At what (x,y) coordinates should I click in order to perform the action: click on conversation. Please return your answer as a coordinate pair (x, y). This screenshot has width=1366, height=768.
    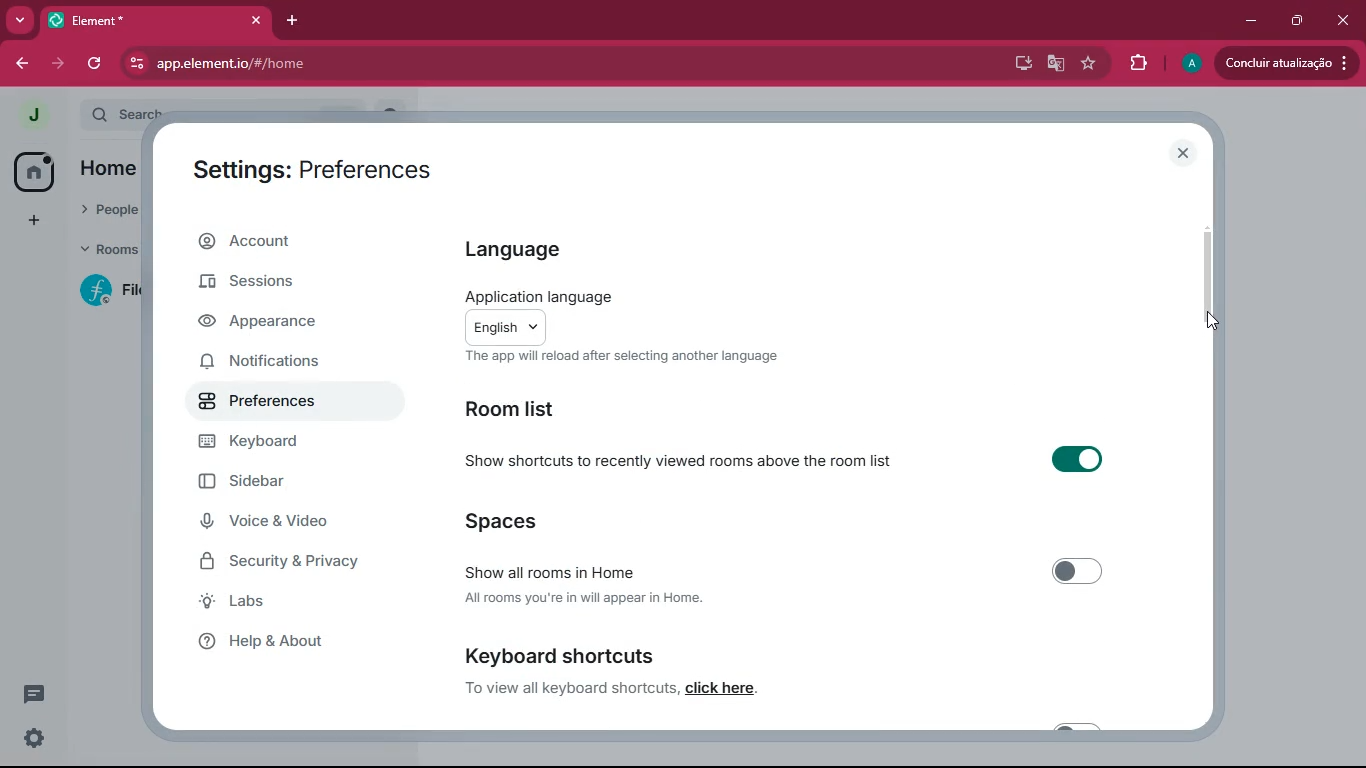
    Looking at the image, I should click on (38, 693).